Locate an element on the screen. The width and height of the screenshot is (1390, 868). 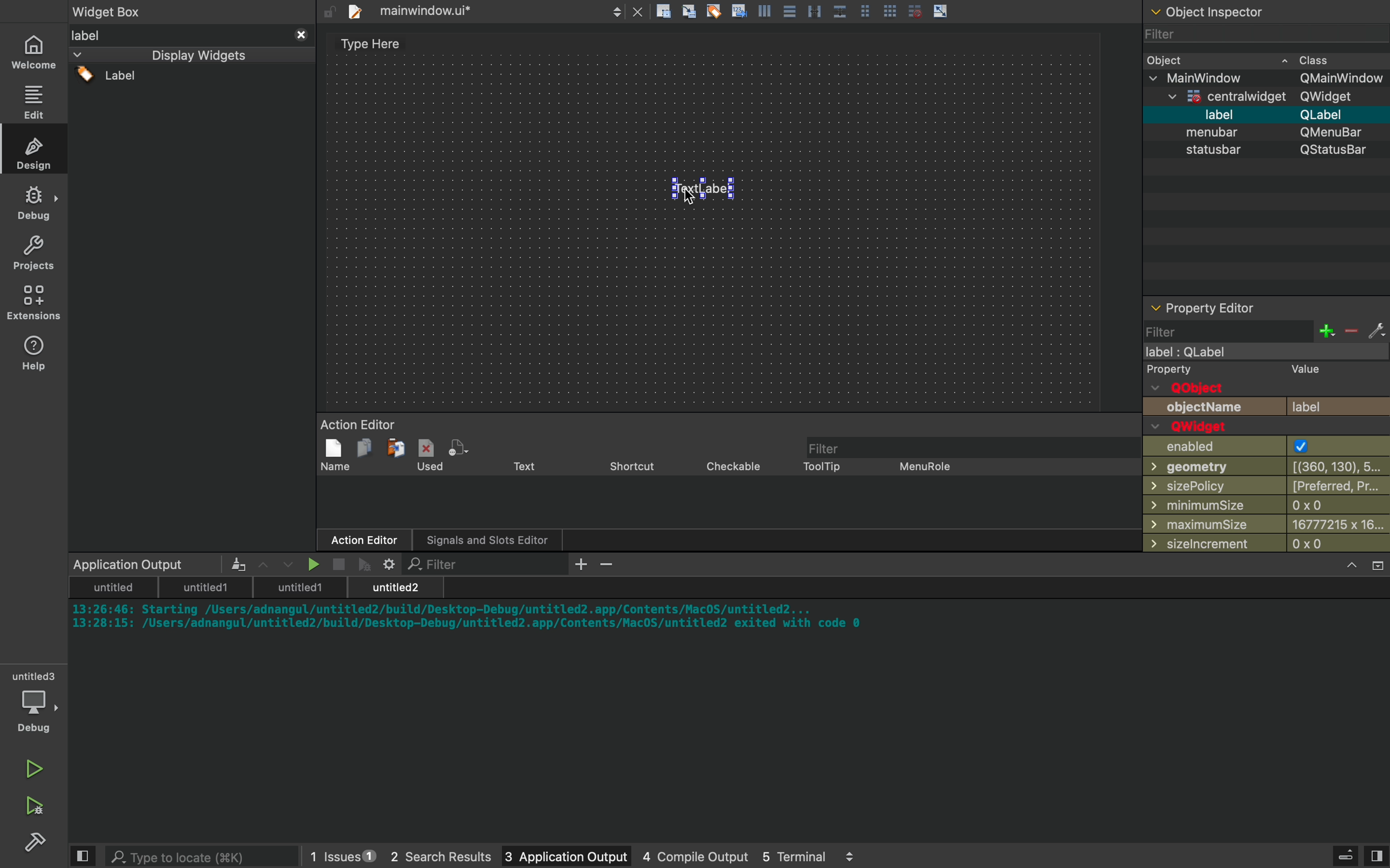
extensions is located at coordinates (36, 303).